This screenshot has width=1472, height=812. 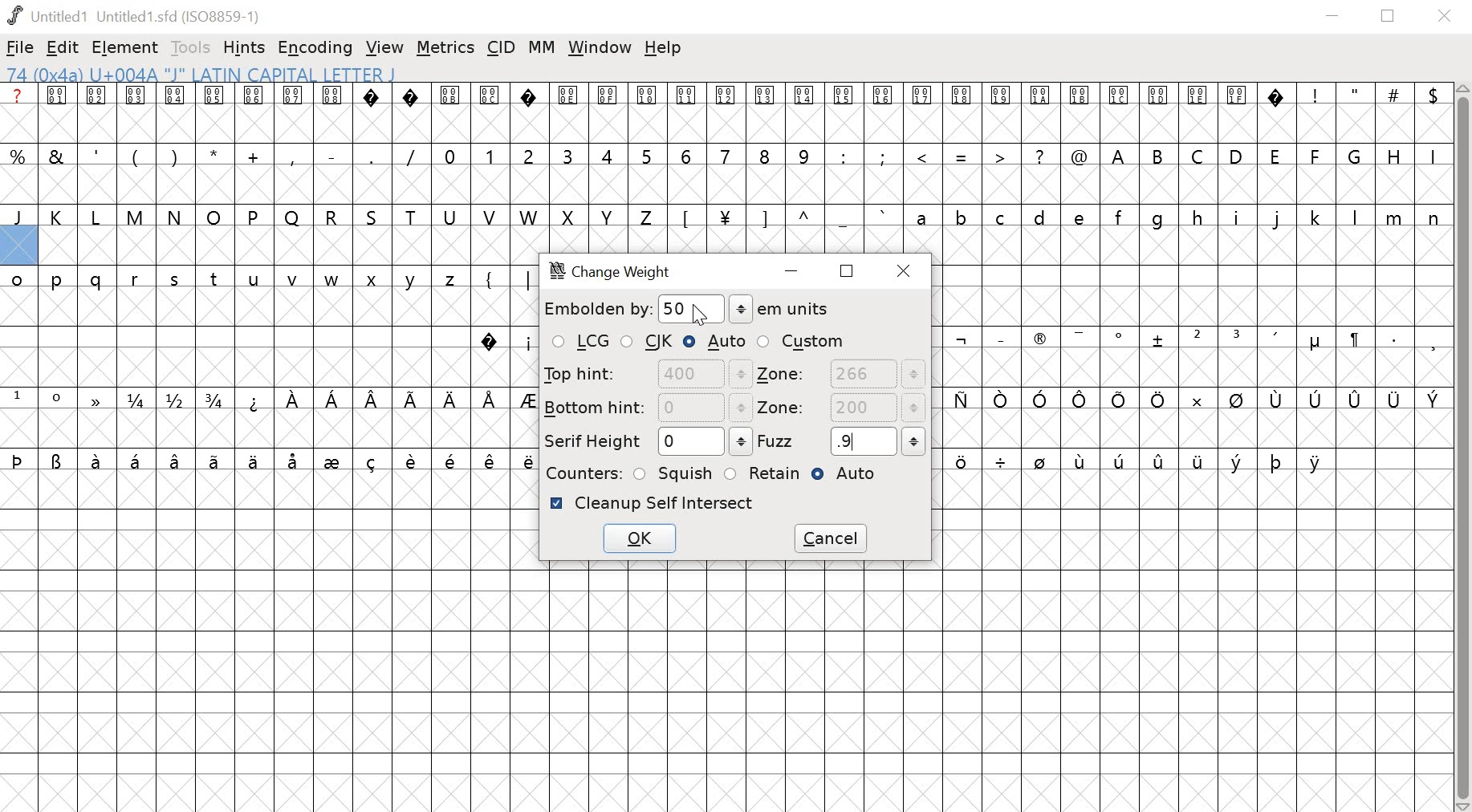 What do you see at coordinates (1389, 16) in the screenshot?
I see `restore down` at bounding box center [1389, 16].